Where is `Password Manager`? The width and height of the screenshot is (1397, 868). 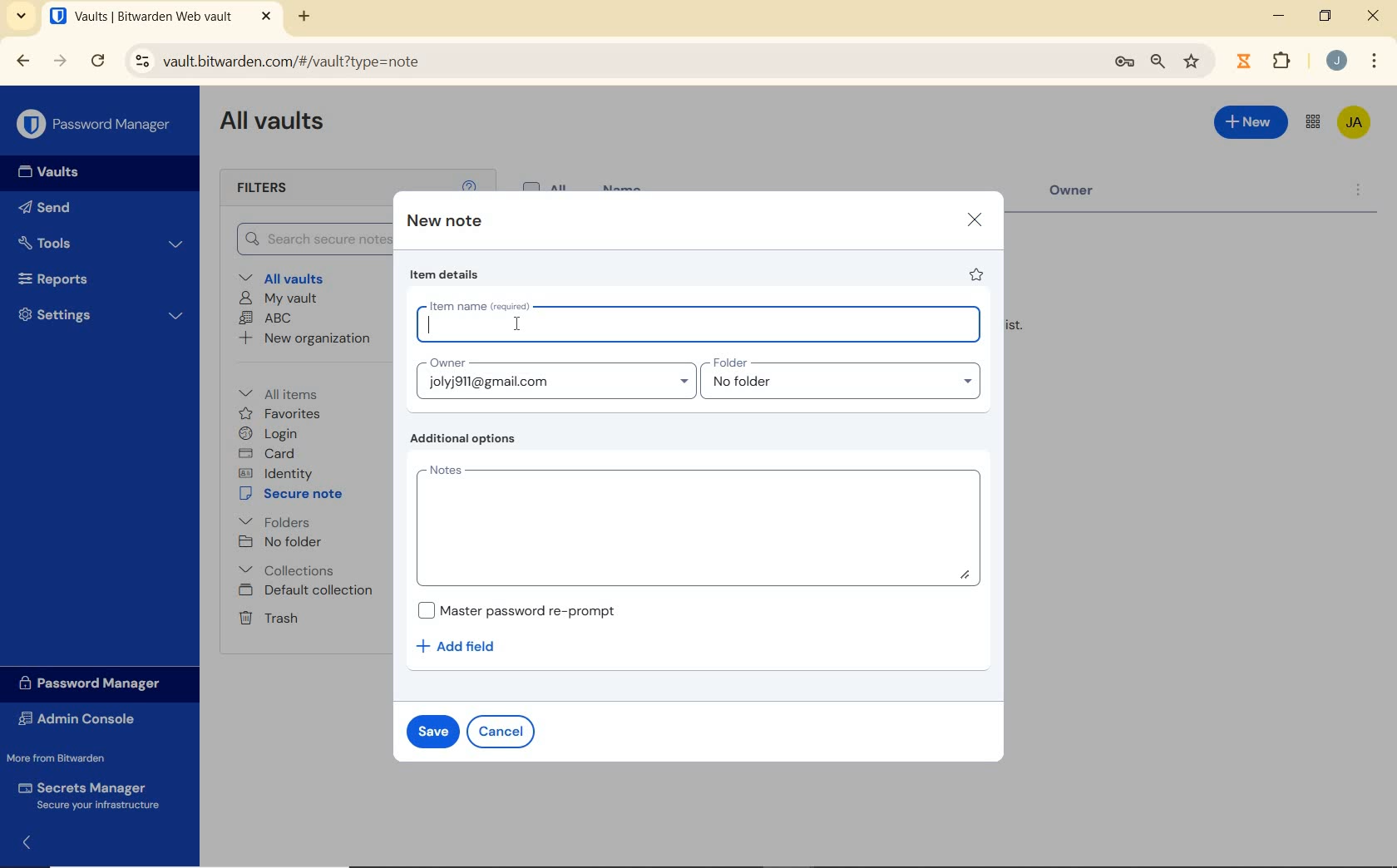 Password Manager is located at coordinates (97, 684).